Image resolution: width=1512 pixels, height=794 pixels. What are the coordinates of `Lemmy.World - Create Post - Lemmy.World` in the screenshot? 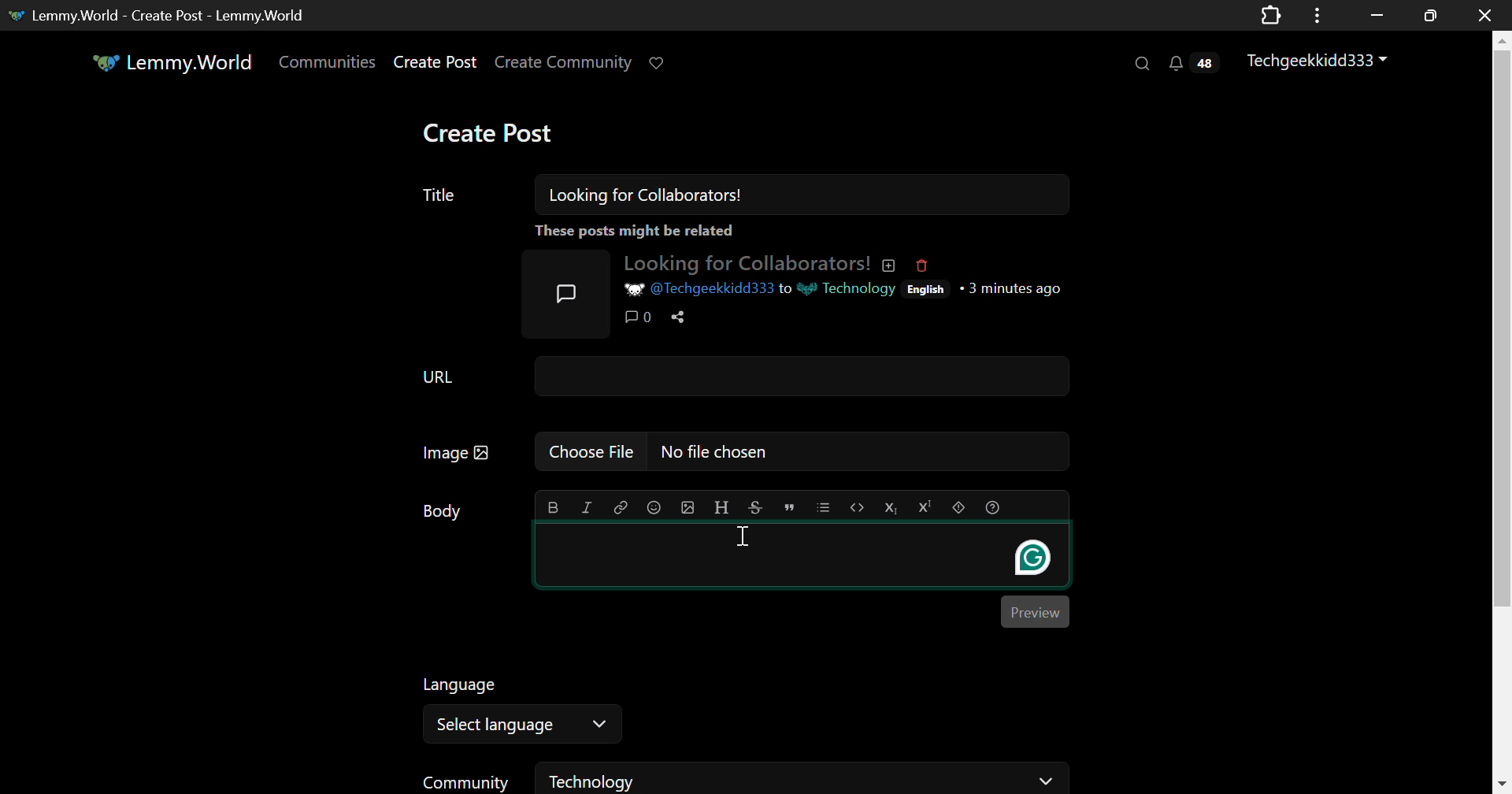 It's located at (169, 14).